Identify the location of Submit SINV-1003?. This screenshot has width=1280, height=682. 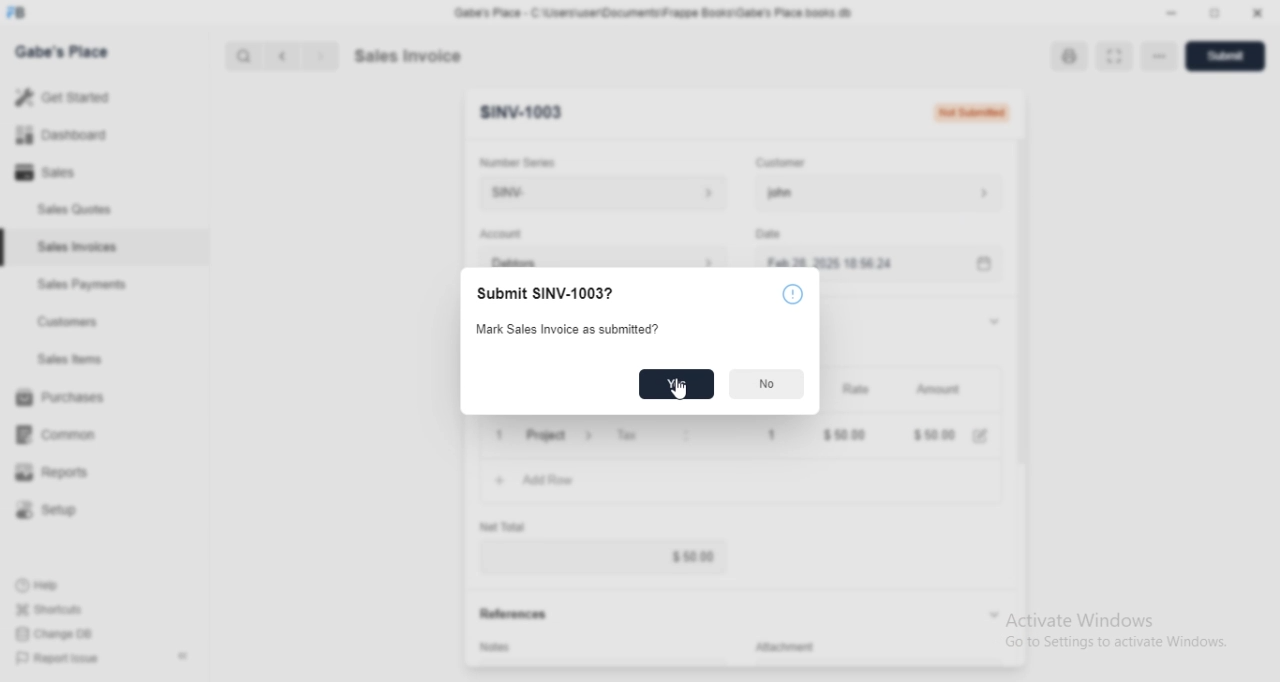
(545, 292).